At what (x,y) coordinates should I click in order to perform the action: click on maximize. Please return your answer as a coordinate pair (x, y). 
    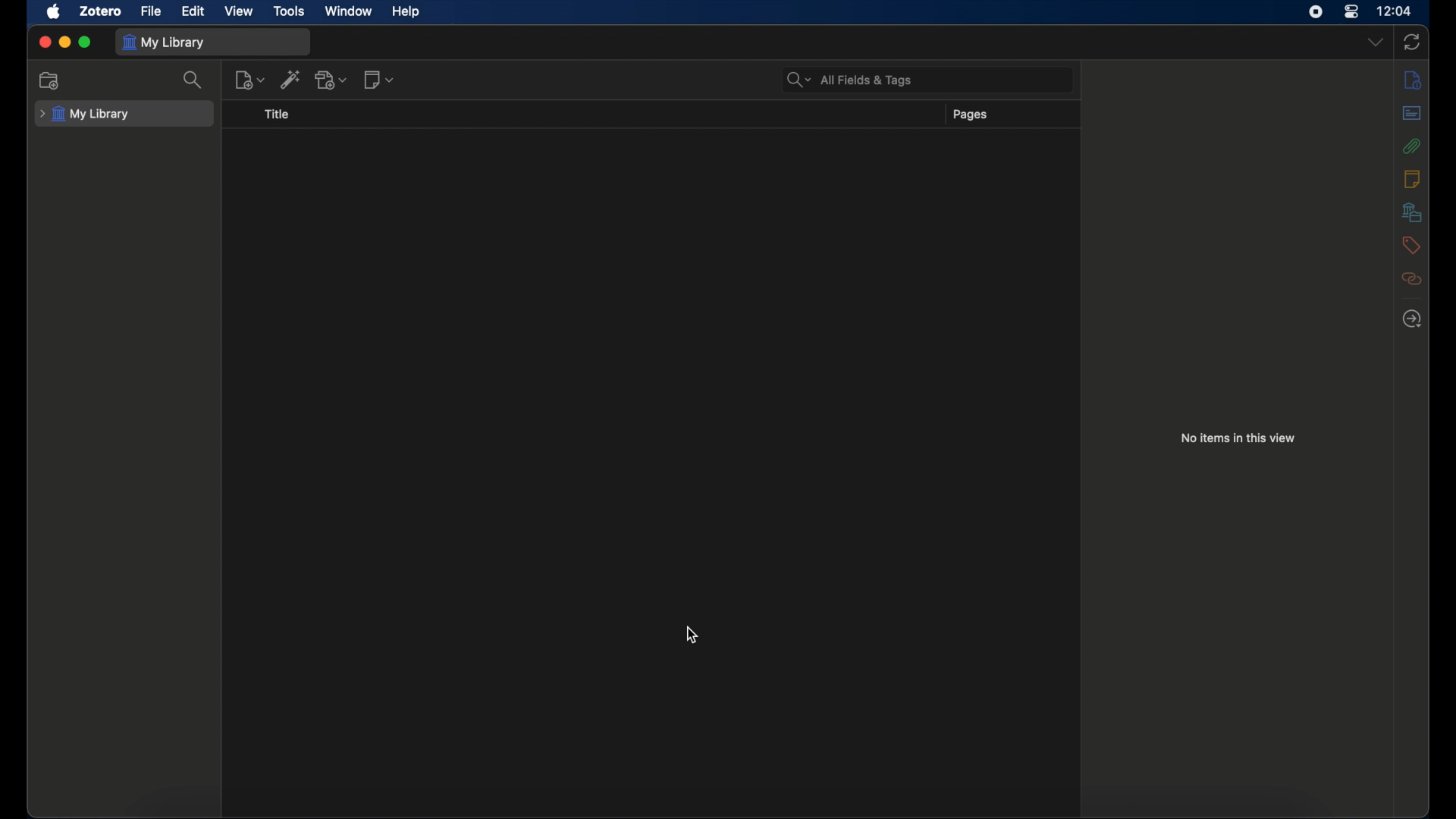
    Looking at the image, I should click on (86, 42).